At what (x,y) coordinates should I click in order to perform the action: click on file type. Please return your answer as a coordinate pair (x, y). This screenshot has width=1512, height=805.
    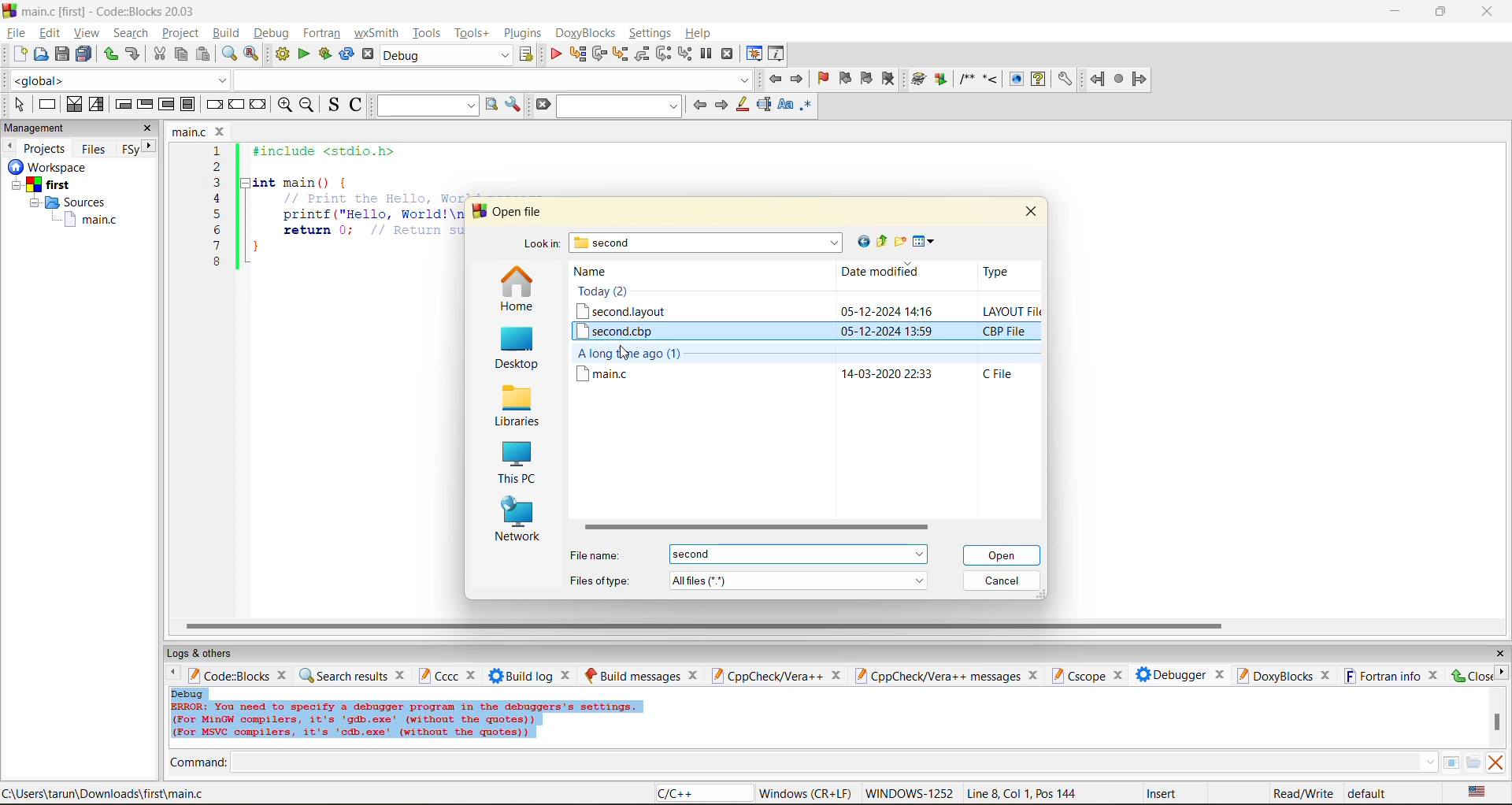
    Looking at the image, I should click on (1012, 310).